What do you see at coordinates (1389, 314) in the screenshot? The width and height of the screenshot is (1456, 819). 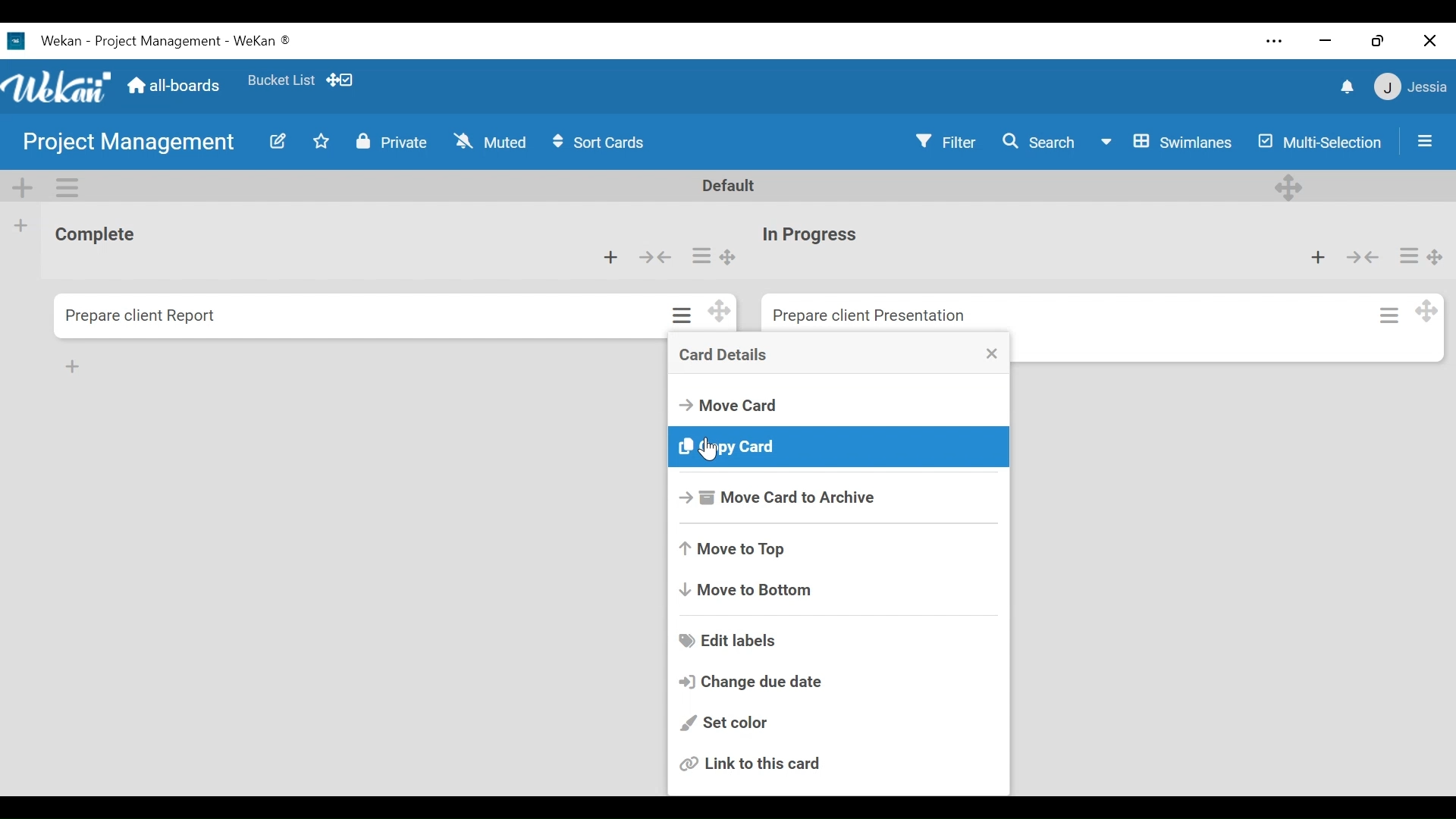 I see `Card actions` at bounding box center [1389, 314].